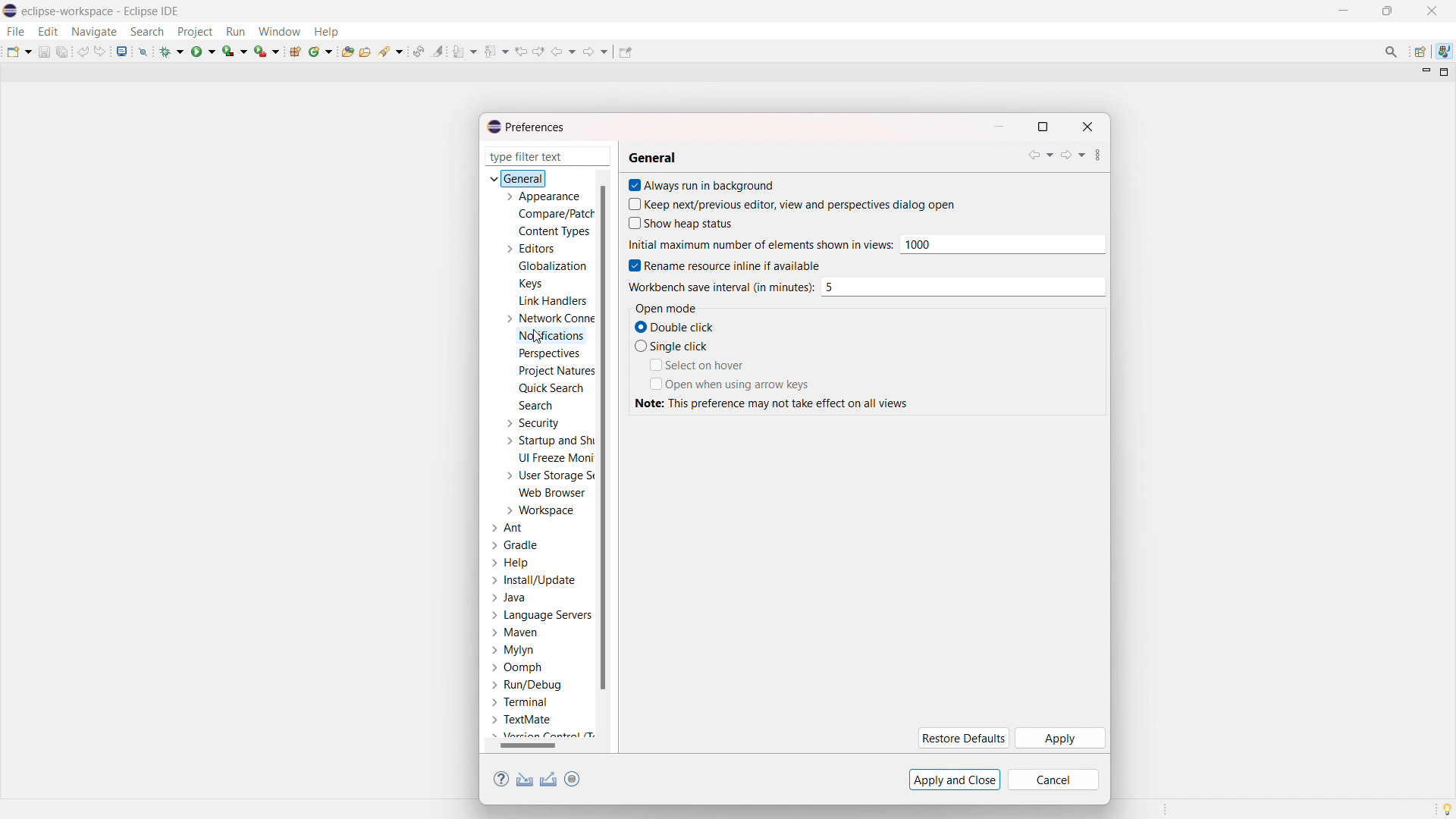  Describe the element at coordinates (1098, 157) in the screenshot. I see `view menu` at that location.